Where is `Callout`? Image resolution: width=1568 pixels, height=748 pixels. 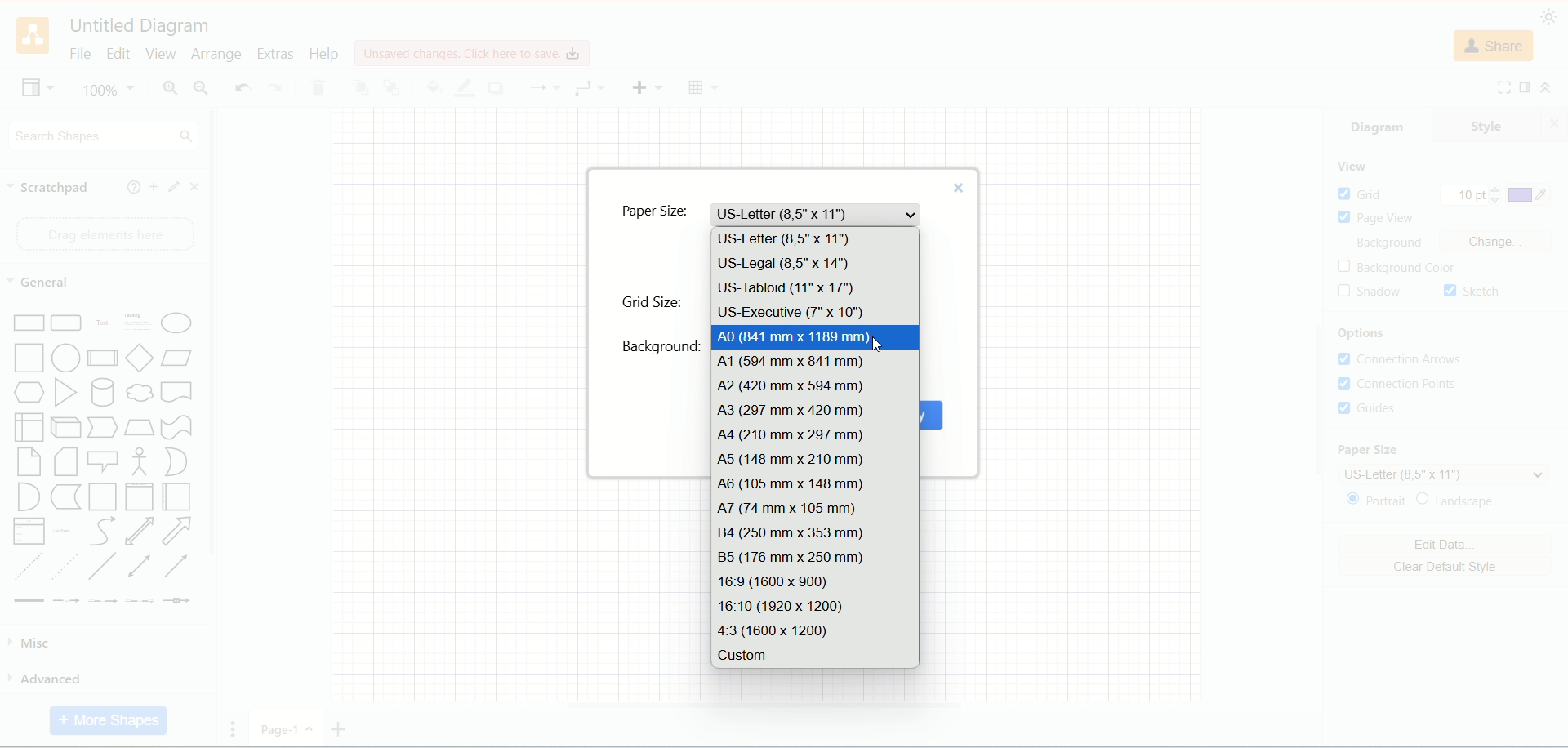
Callout is located at coordinates (104, 463).